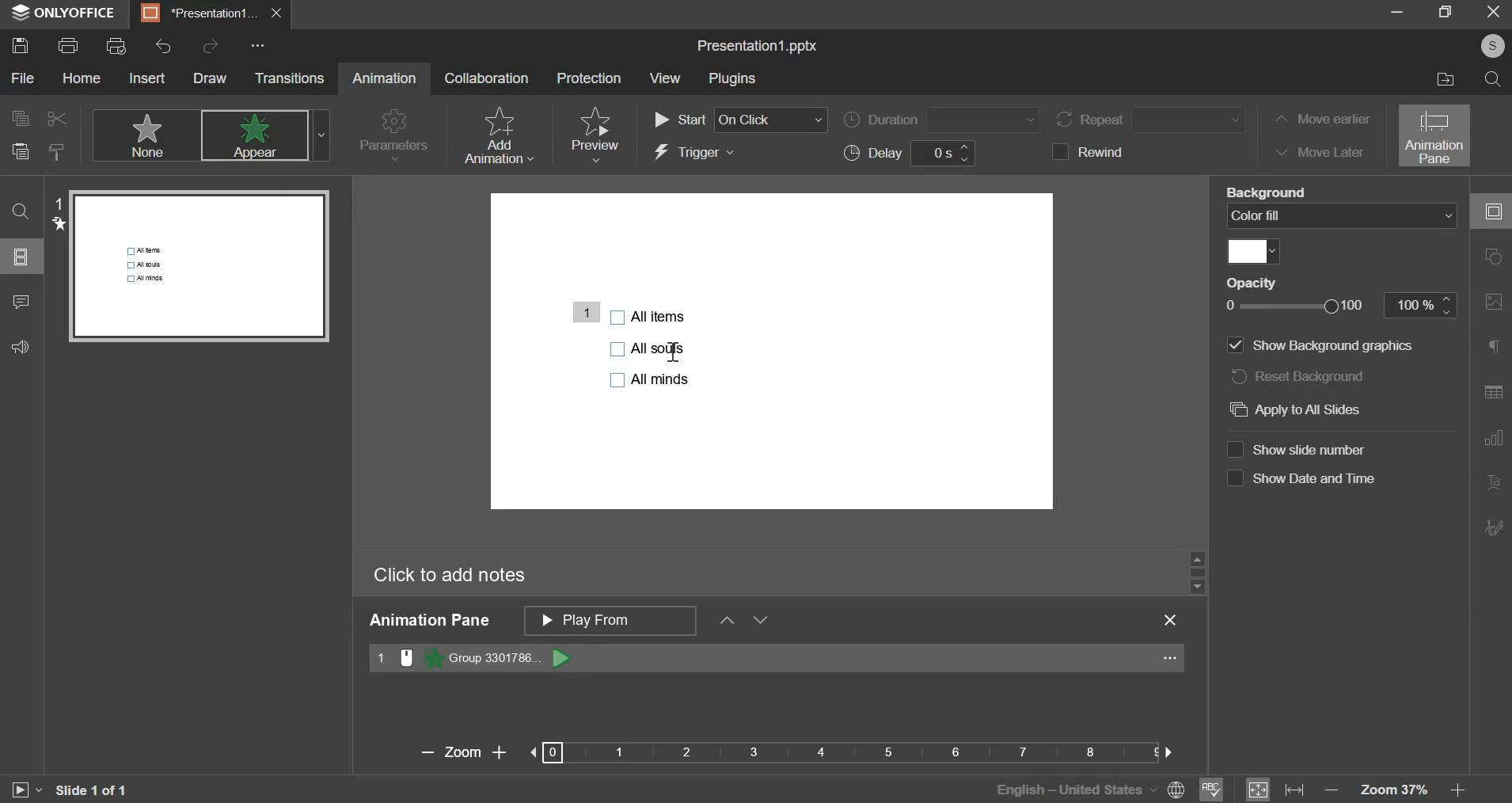 This screenshot has height=803, width=1512. What do you see at coordinates (1170, 619) in the screenshot?
I see `exit` at bounding box center [1170, 619].